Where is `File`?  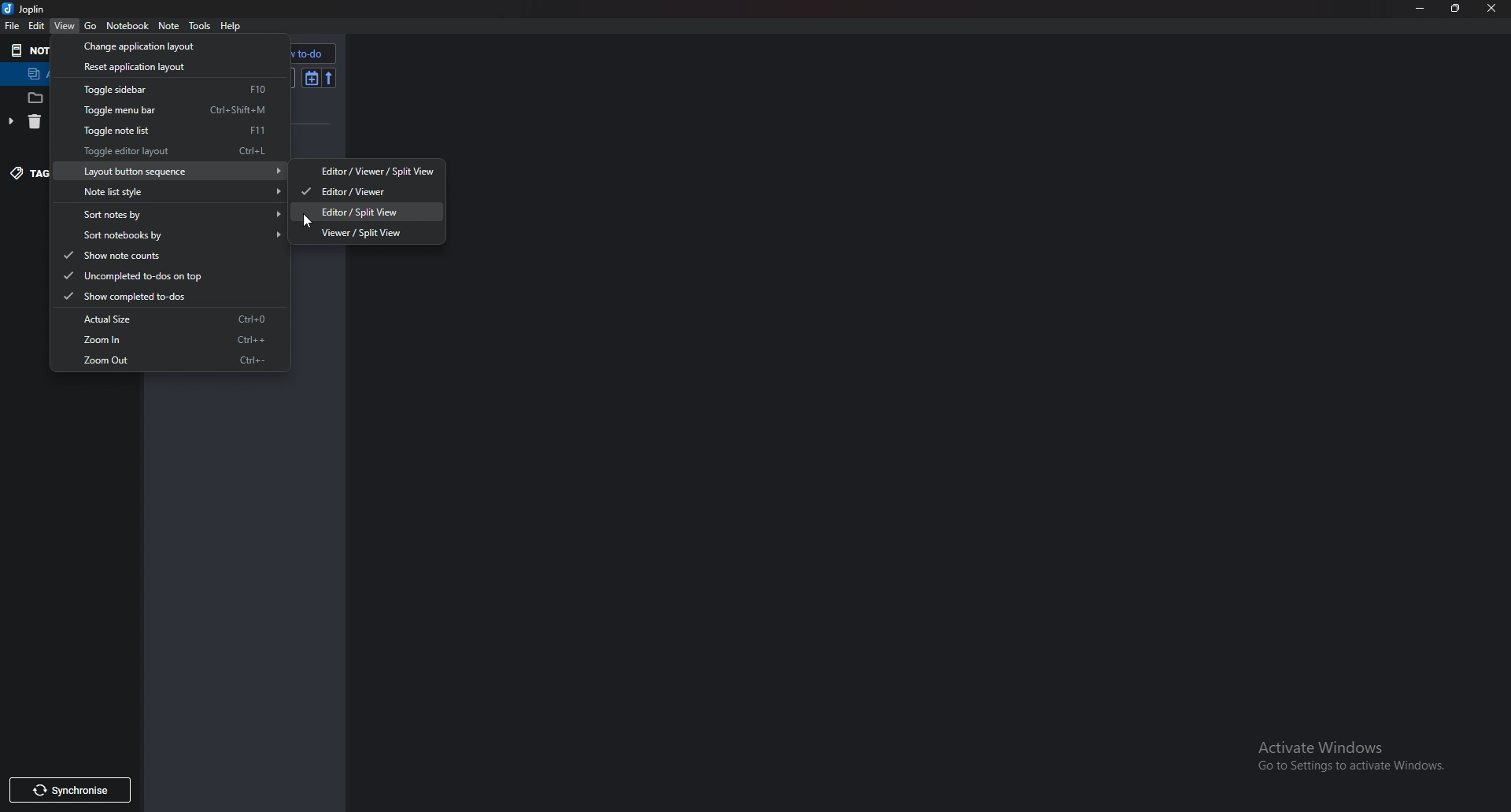 File is located at coordinates (13, 28).